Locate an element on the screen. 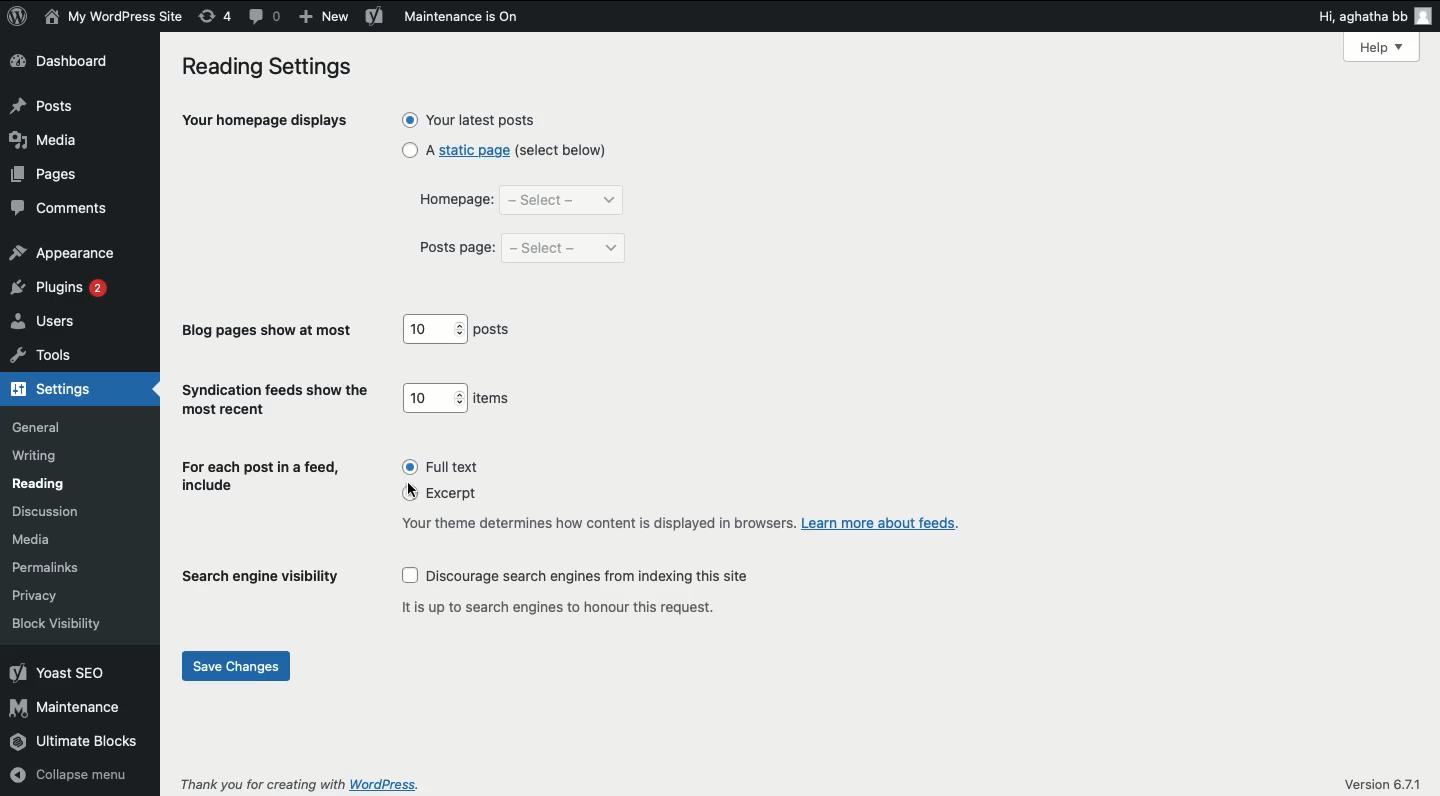 The image size is (1440, 796). posts is located at coordinates (492, 328).